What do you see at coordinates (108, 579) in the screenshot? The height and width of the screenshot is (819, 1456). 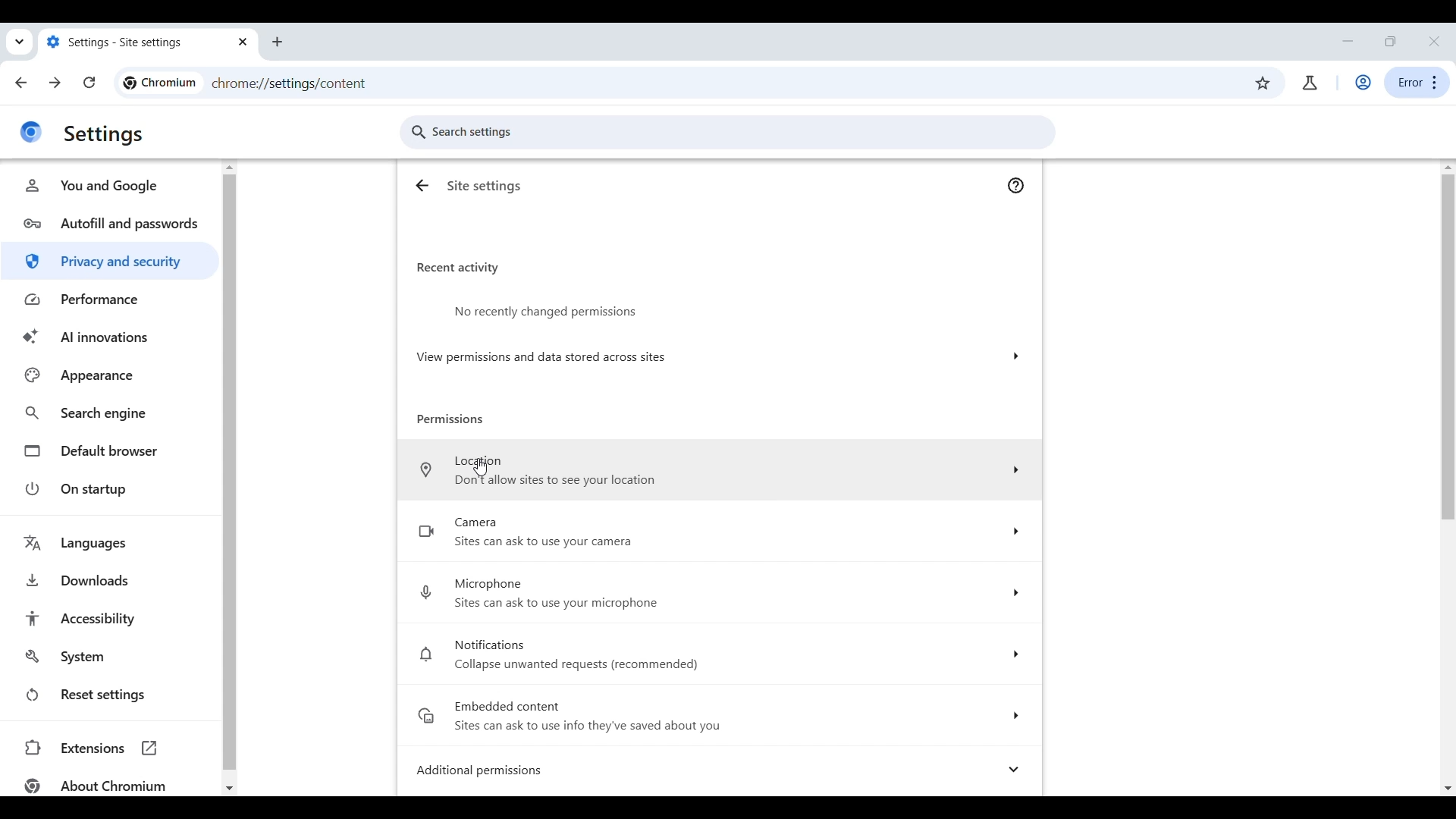 I see `Downloads` at bounding box center [108, 579].